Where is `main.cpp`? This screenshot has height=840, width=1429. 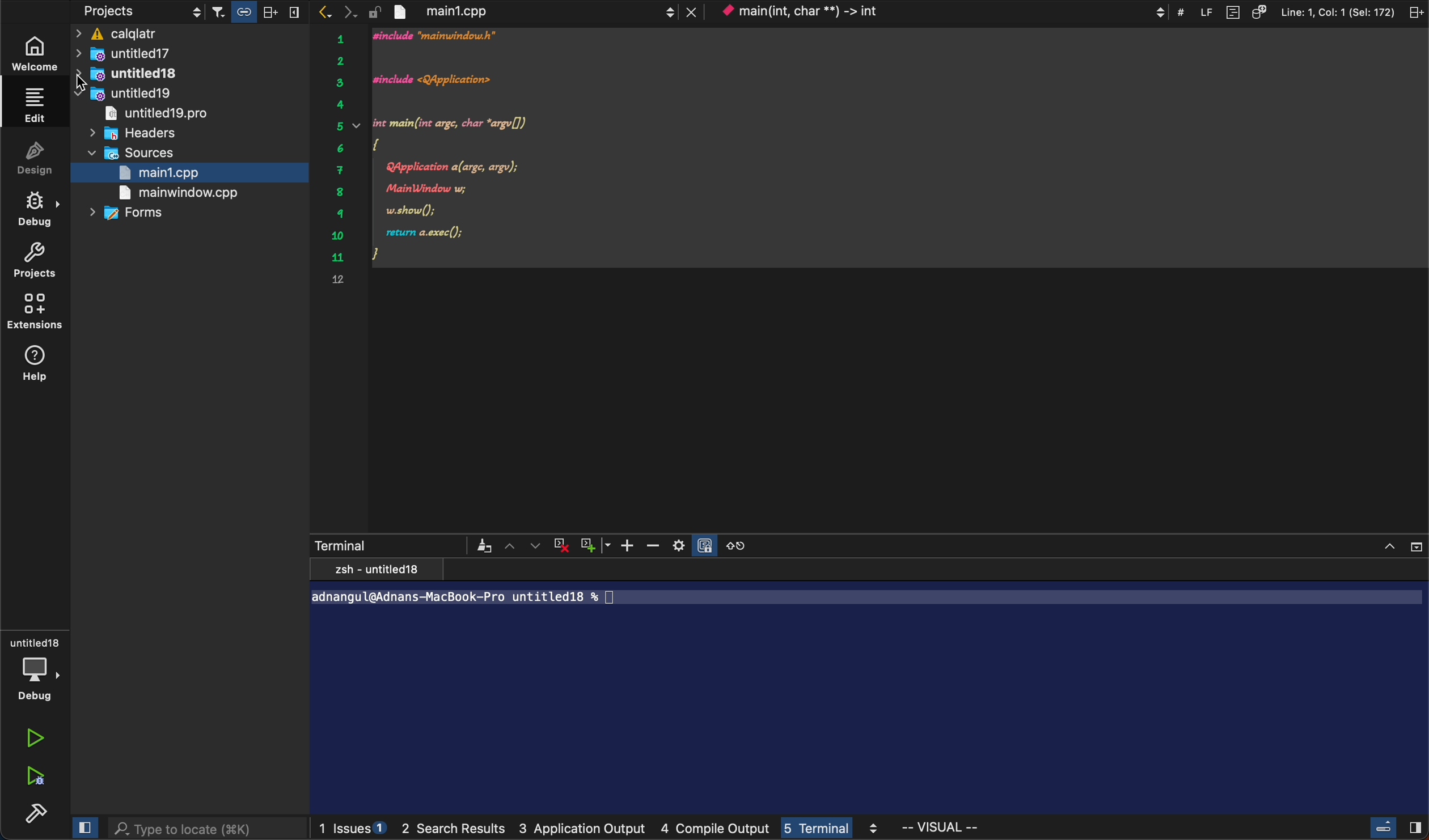 main.cpp is located at coordinates (160, 173).